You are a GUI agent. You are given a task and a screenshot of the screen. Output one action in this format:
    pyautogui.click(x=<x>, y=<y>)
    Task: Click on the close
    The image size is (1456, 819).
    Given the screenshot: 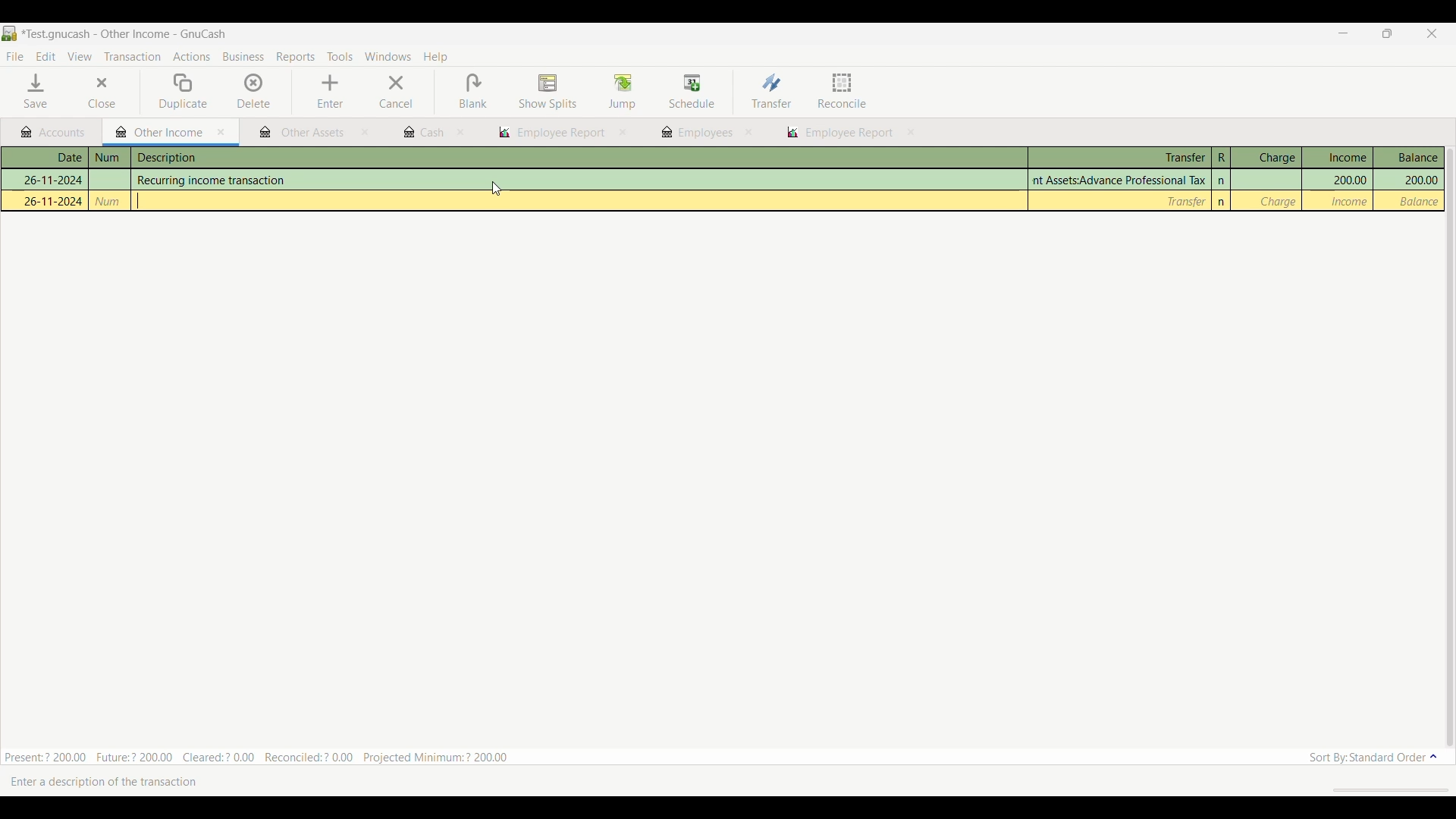 What is the action you would take?
    pyautogui.click(x=365, y=134)
    